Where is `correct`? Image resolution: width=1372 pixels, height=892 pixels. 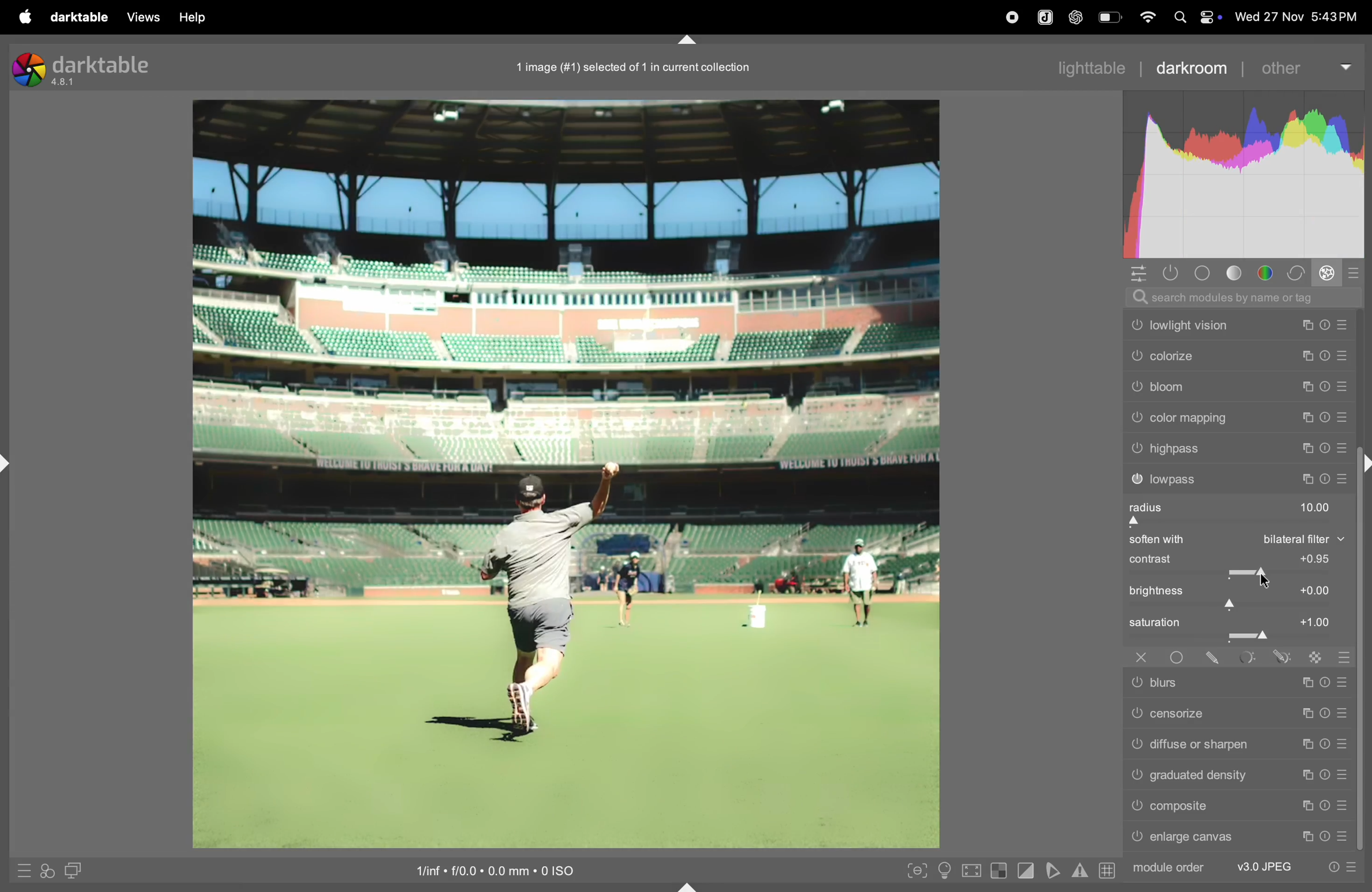 correct is located at coordinates (1295, 273).